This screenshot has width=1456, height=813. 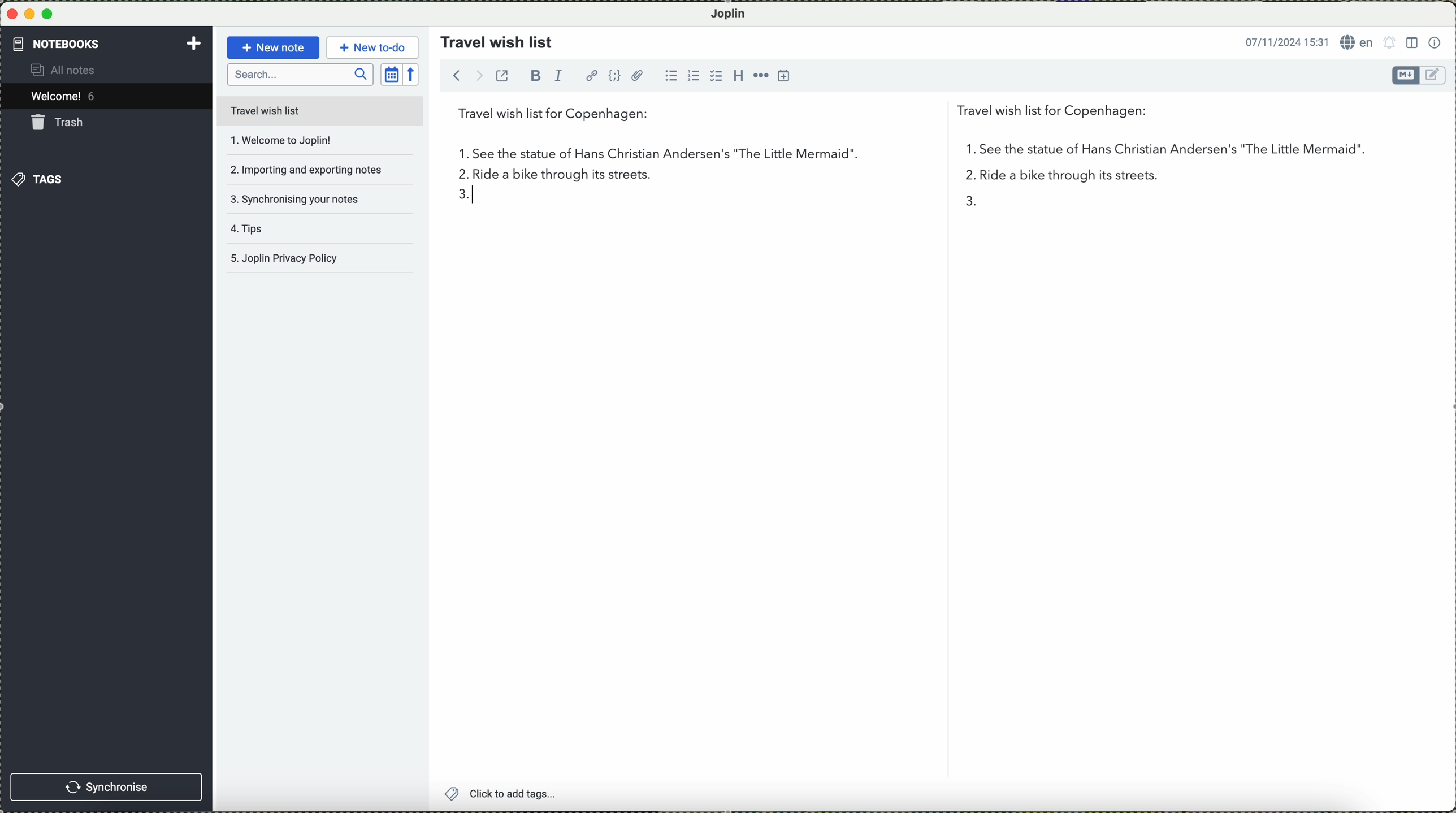 What do you see at coordinates (391, 73) in the screenshot?
I see `toggle sort order field` at bounding box center [391, 73].